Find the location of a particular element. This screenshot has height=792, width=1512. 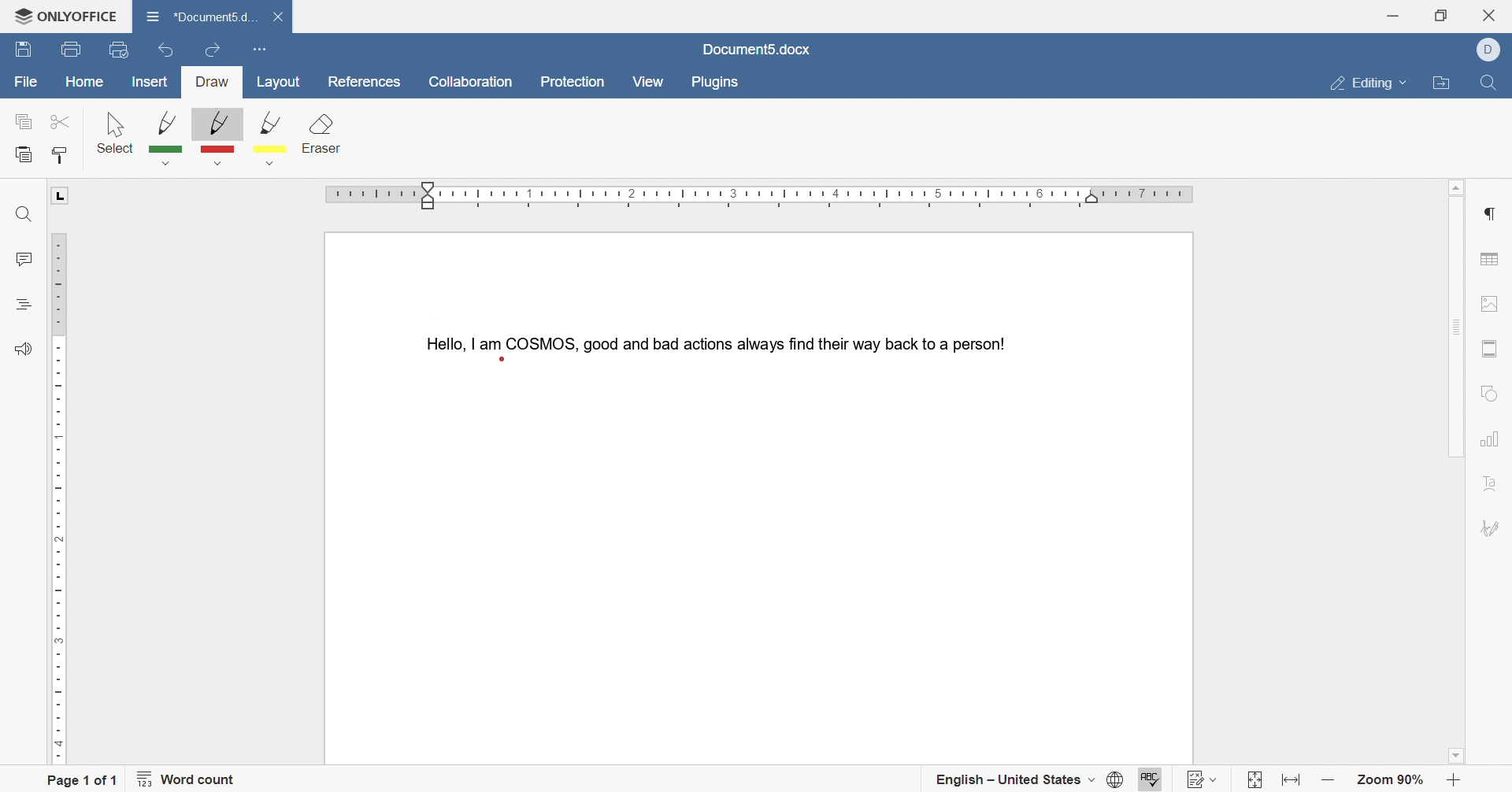

view is located at coordinates (647, 81).